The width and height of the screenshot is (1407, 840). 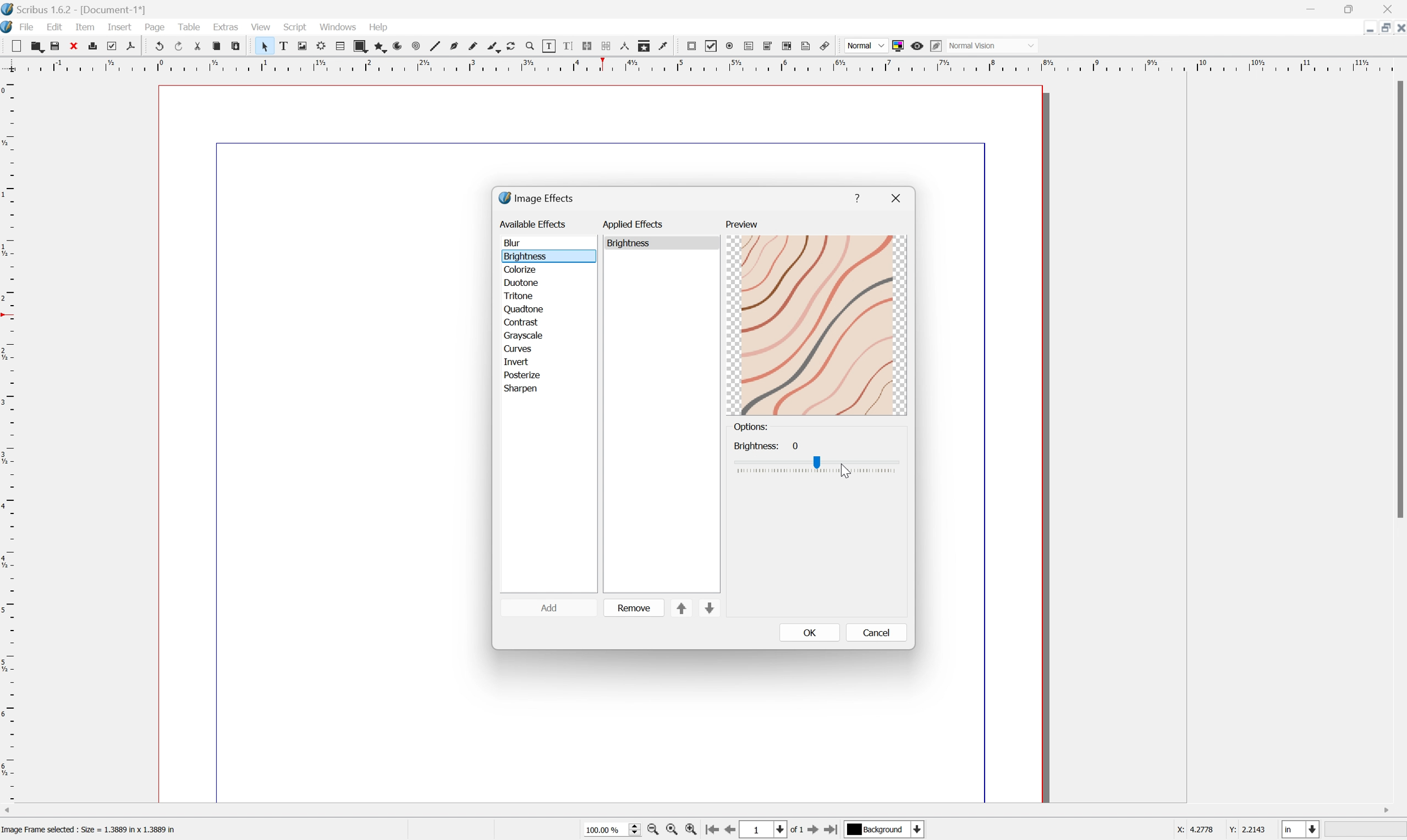 What do you see at coordinates (237, 44) in the screenshot?
I see `Paste` at bounding box center [237, 44].